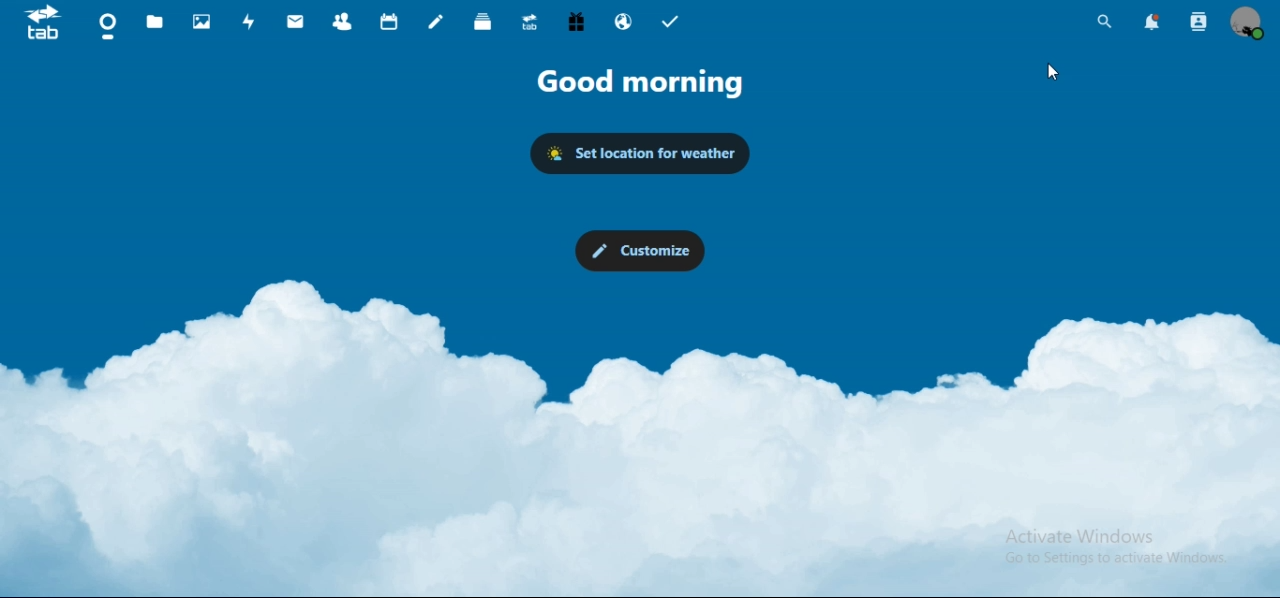  What do you see at coordinates (641, 251) in the screenshot?
I see `customize` at bounding box center [641, 251].